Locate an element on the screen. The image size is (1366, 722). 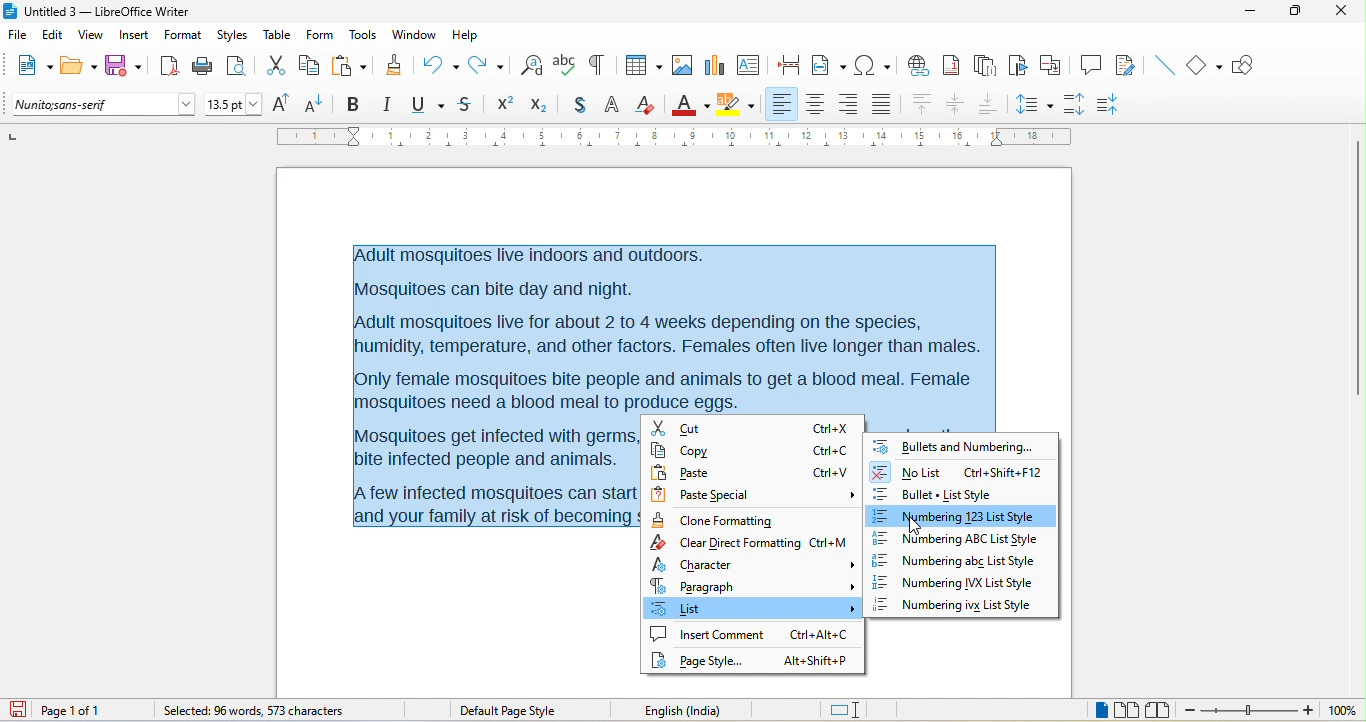
align center is located at coordinates (956, 106).